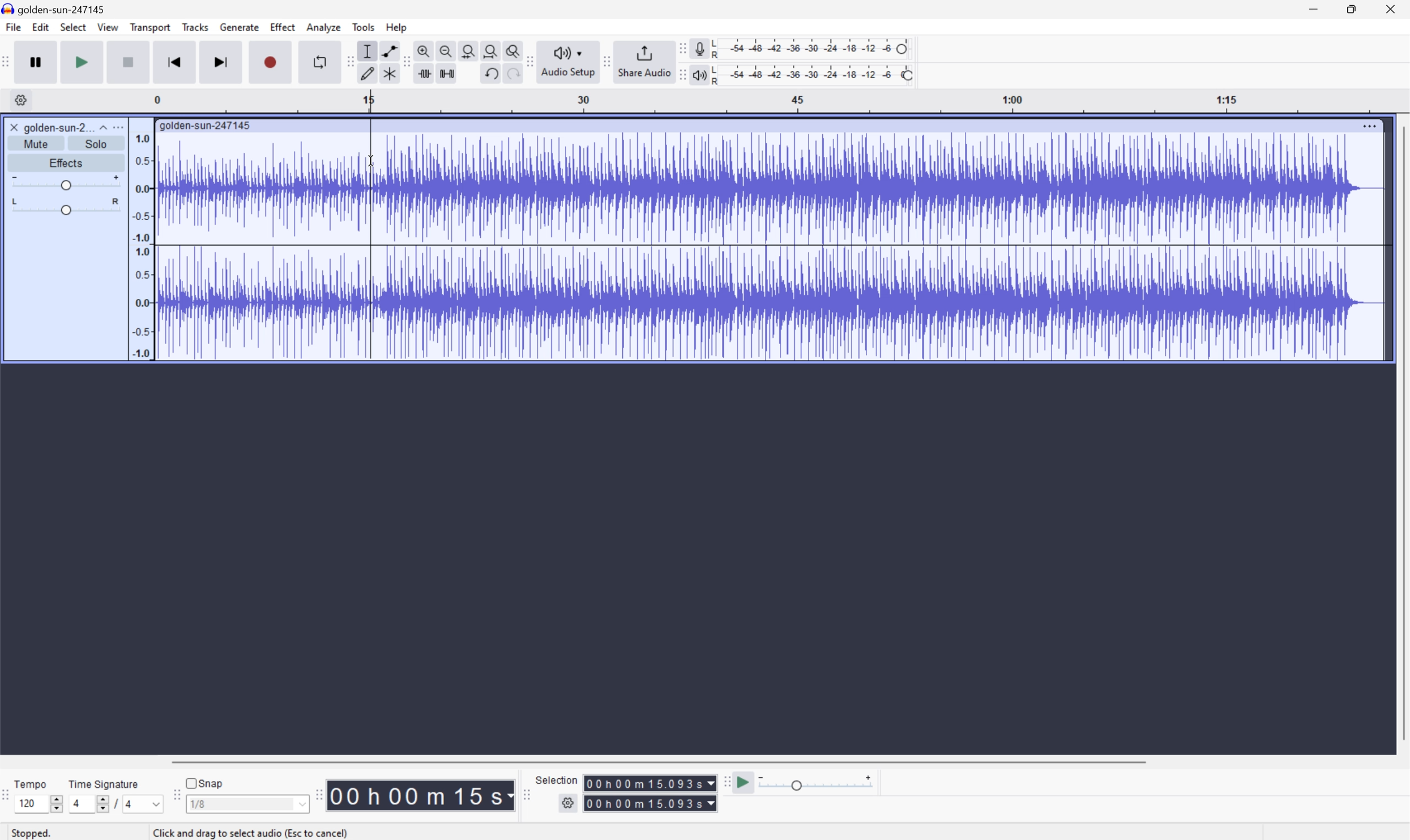  Describe the element at coordinates (35, 62) in the screenshot. I see `Pause` at that location.